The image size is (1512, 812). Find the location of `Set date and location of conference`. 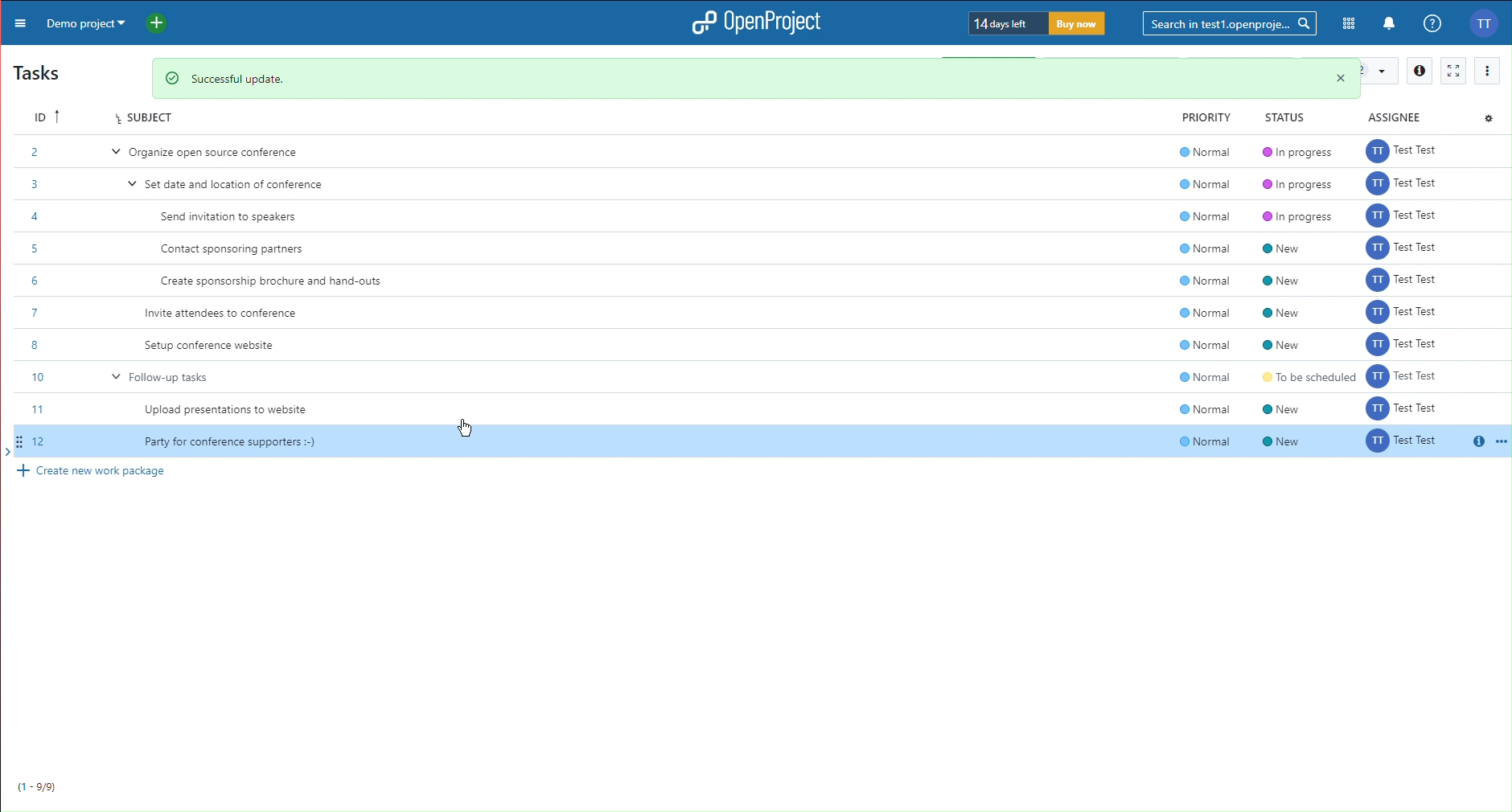

Set date and location of conference is located at coordinates (241, 185).